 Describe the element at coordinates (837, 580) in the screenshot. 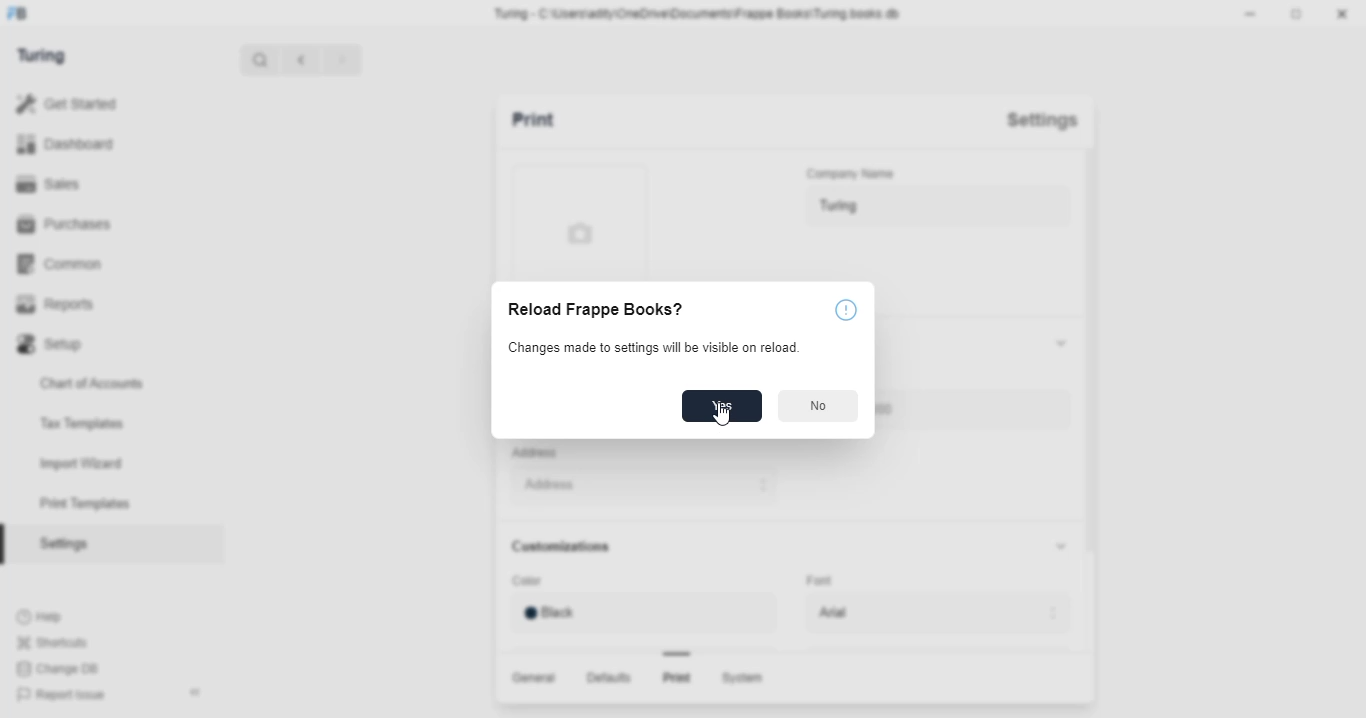

I see `Font` at that location.